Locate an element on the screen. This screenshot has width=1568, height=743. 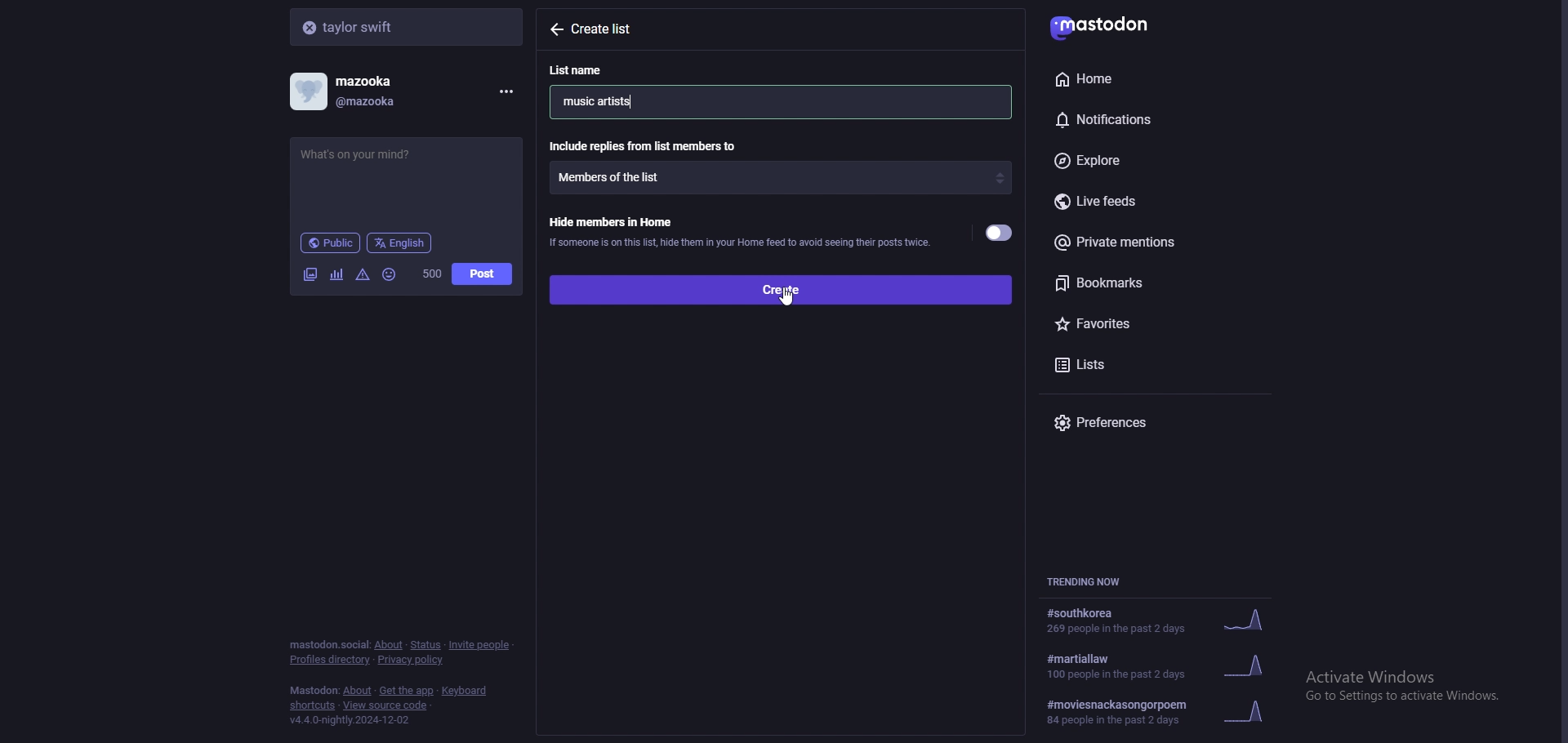
status is located at coordinates (425, 645).